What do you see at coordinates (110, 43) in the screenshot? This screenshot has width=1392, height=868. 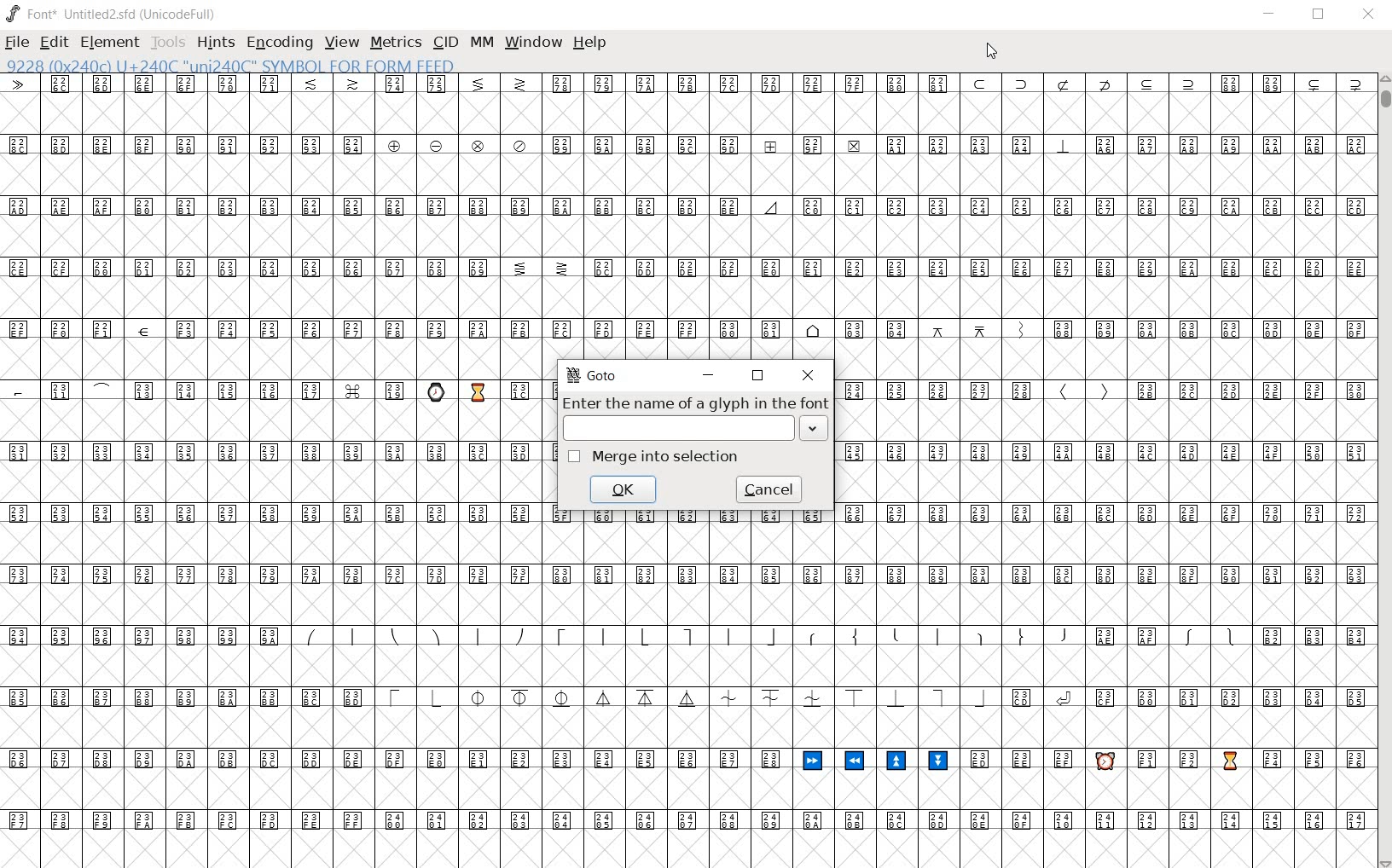 I see `Element` at bounding box center [110, 43].